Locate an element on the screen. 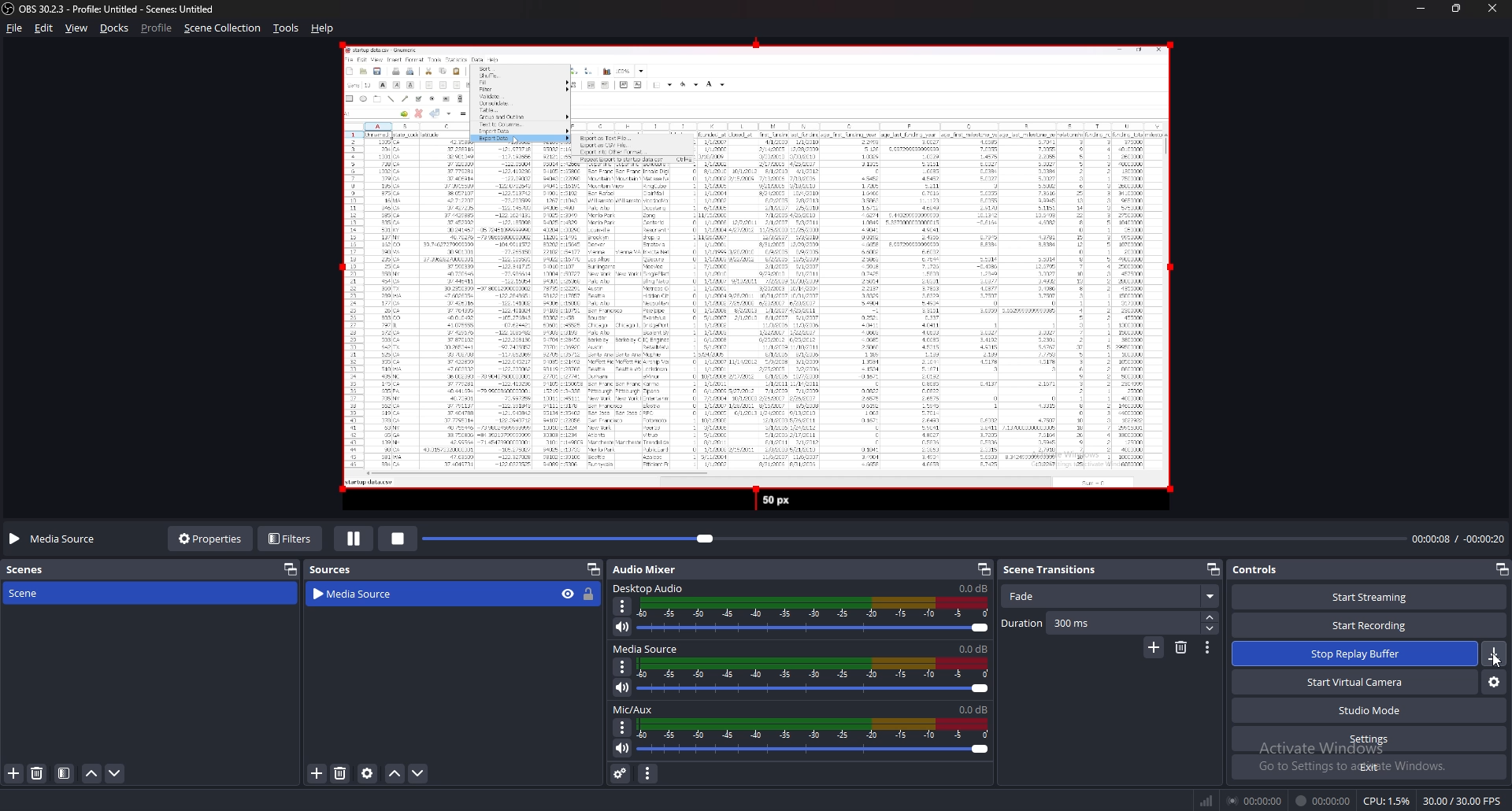  0.0db is located at coordinates (975, 648).